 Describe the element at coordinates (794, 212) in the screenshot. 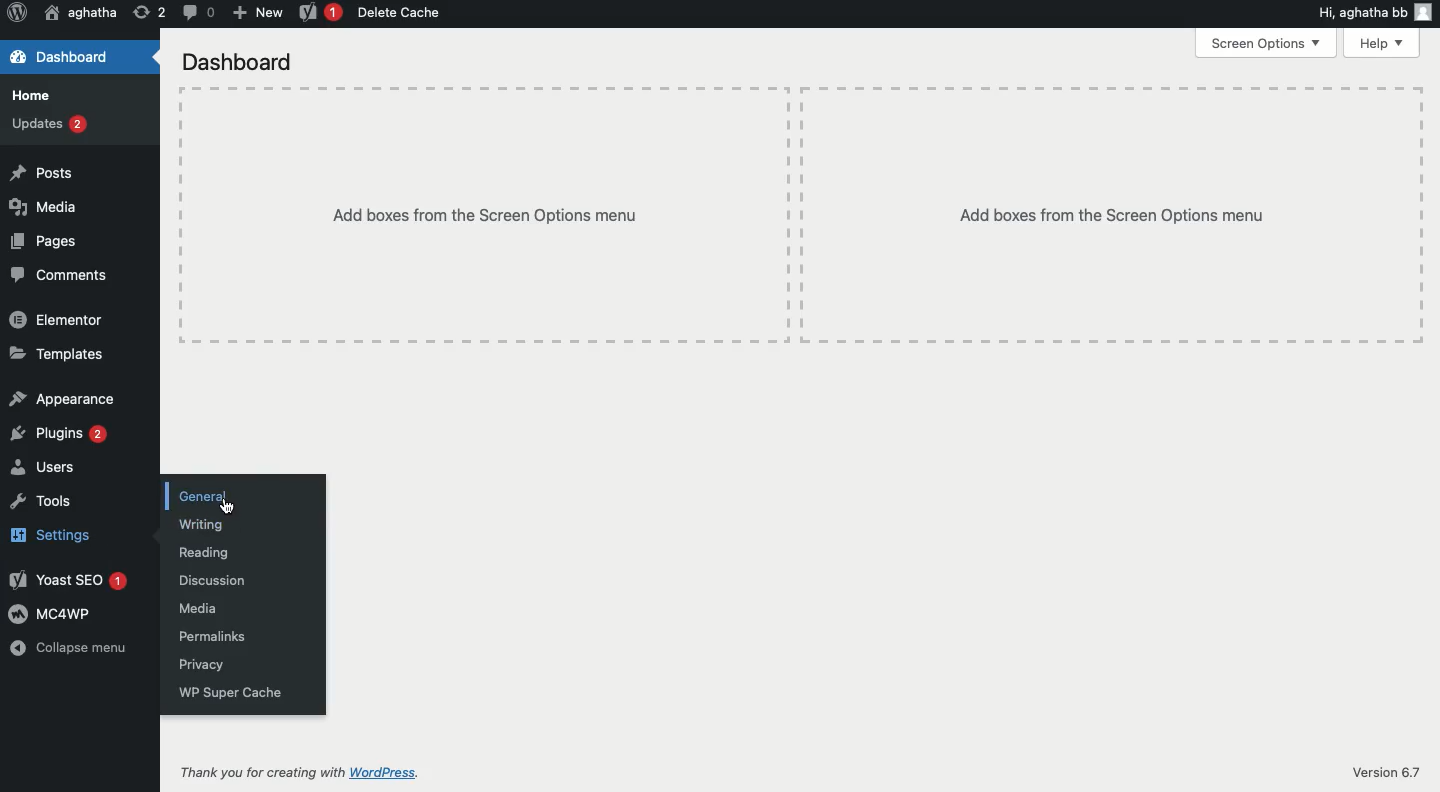

I see `Table line` at that location.